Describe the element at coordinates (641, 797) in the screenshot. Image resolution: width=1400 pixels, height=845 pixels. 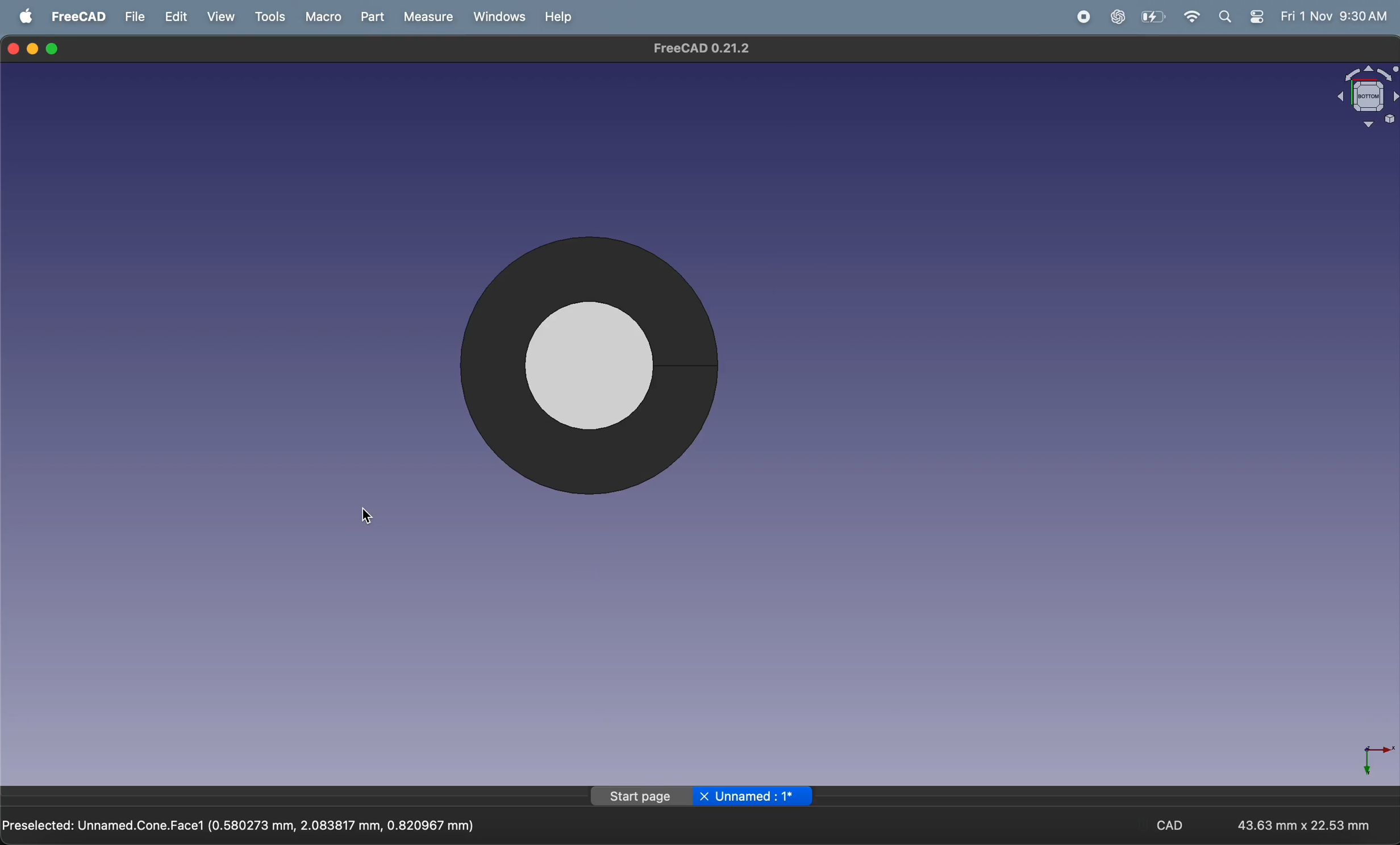
I see `Start page` at that location.